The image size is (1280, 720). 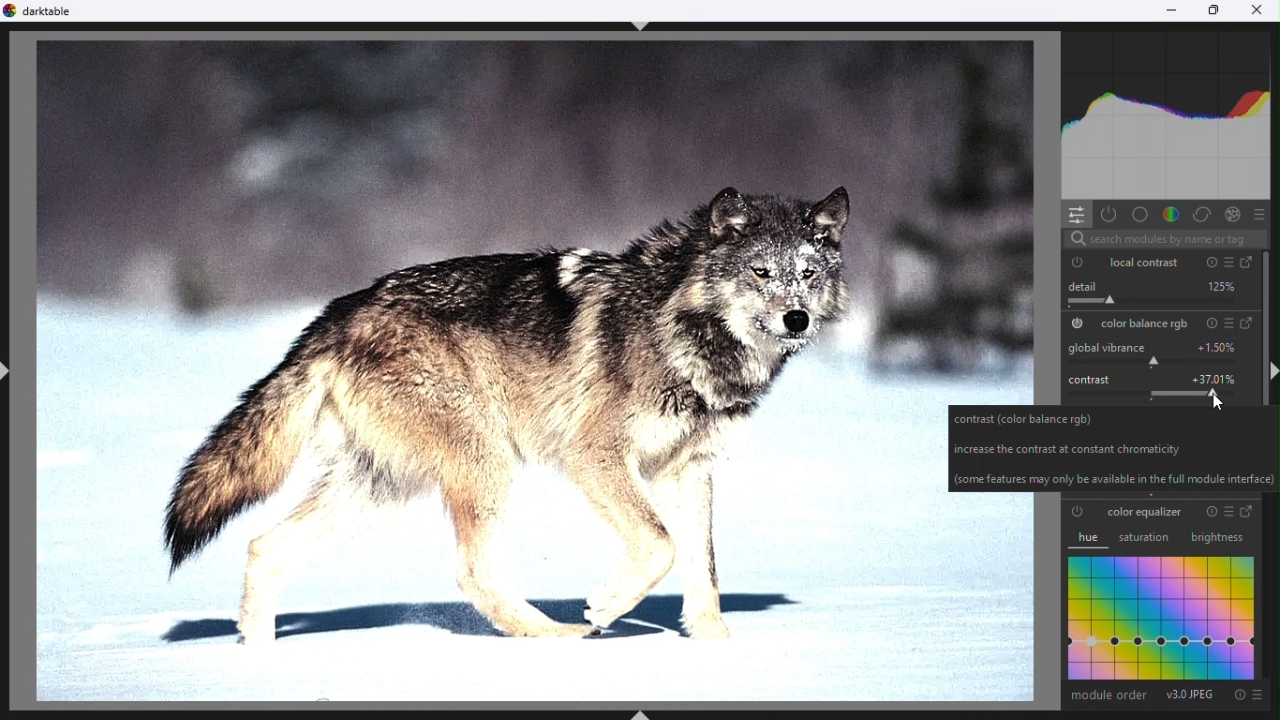 I want to click on graph(color equalizer), so click(x=1163, y=618).